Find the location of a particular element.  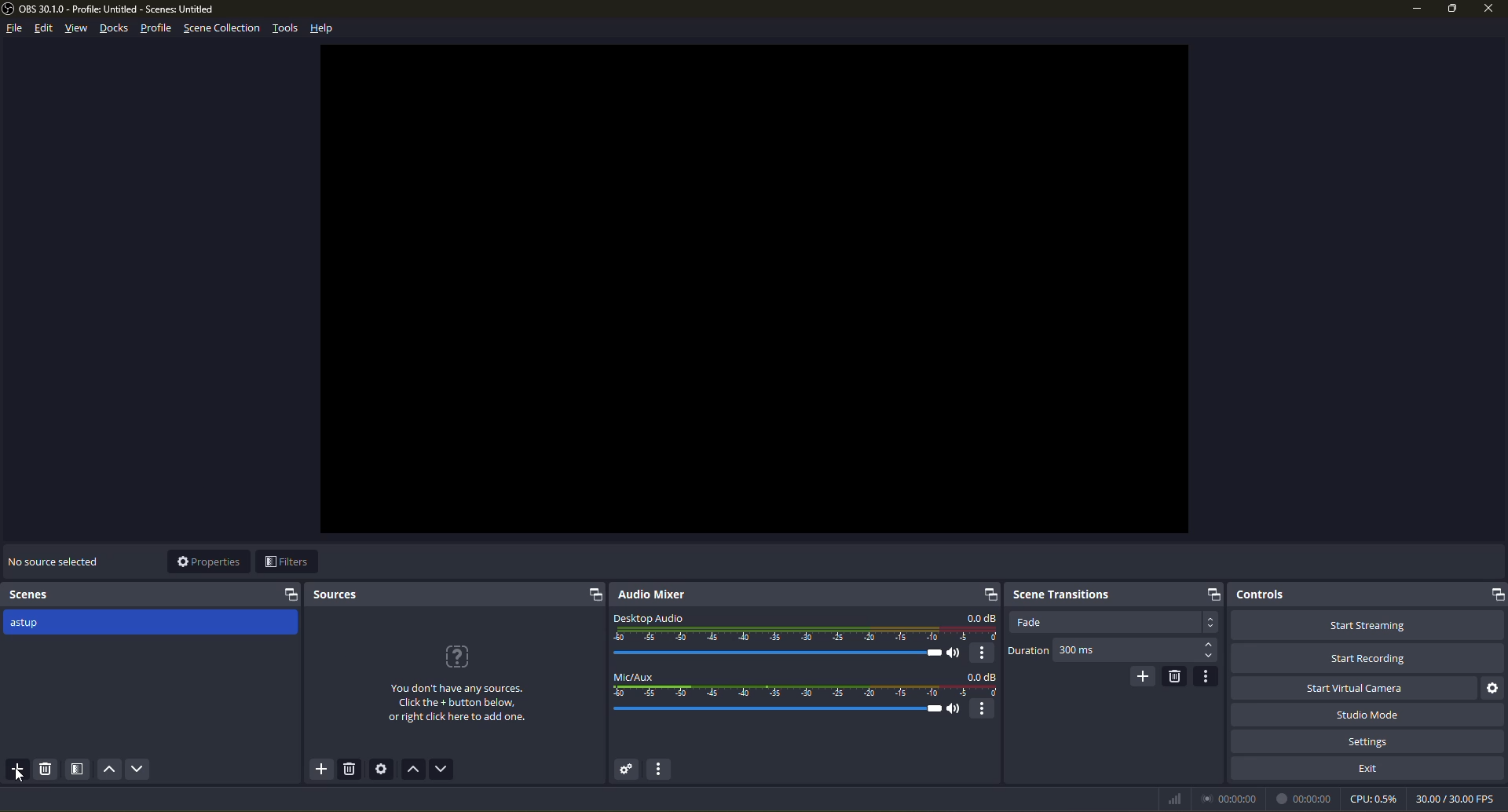

duration is located at coordinates (1029, 651).